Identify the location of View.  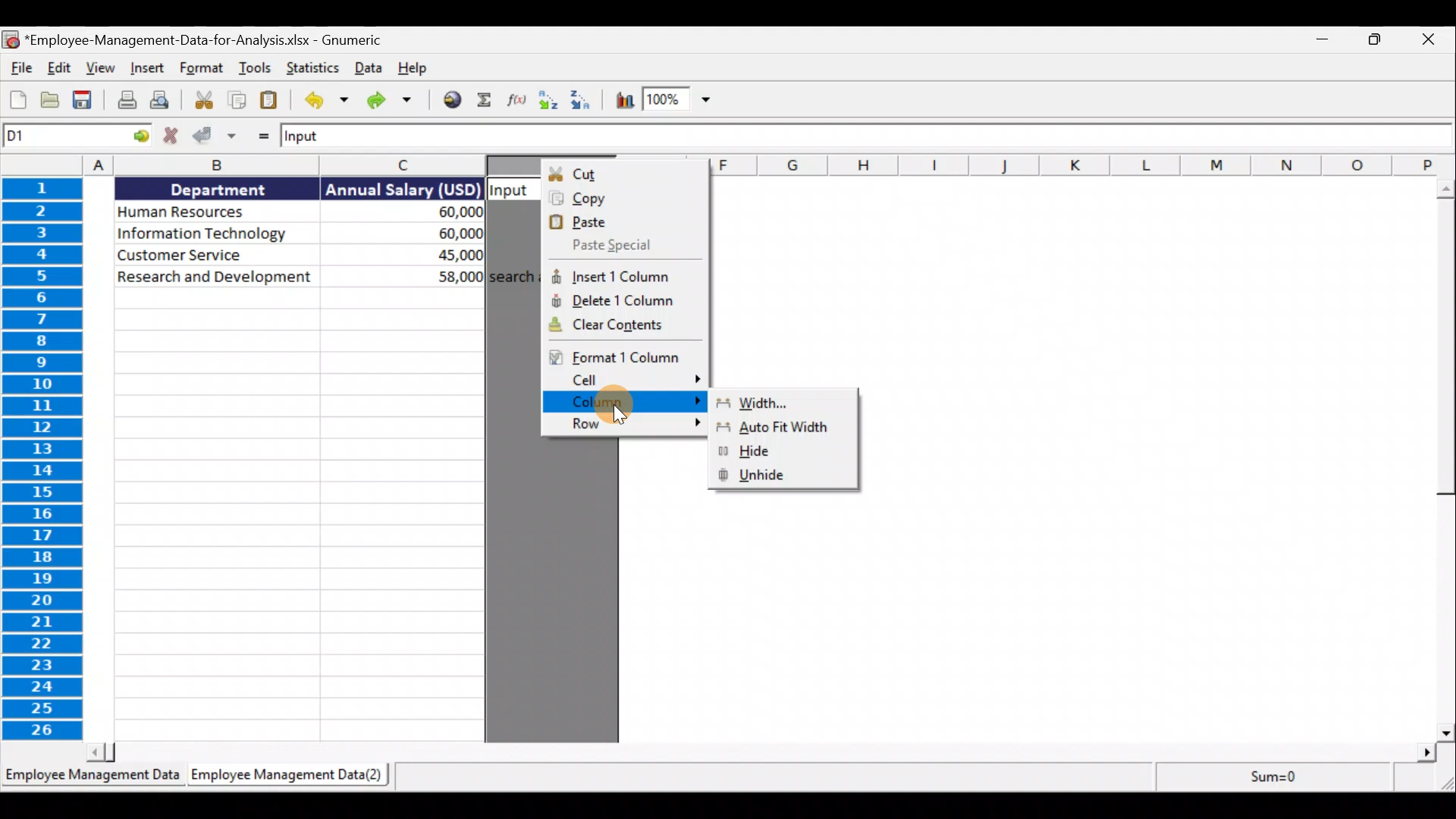
(103, 65).